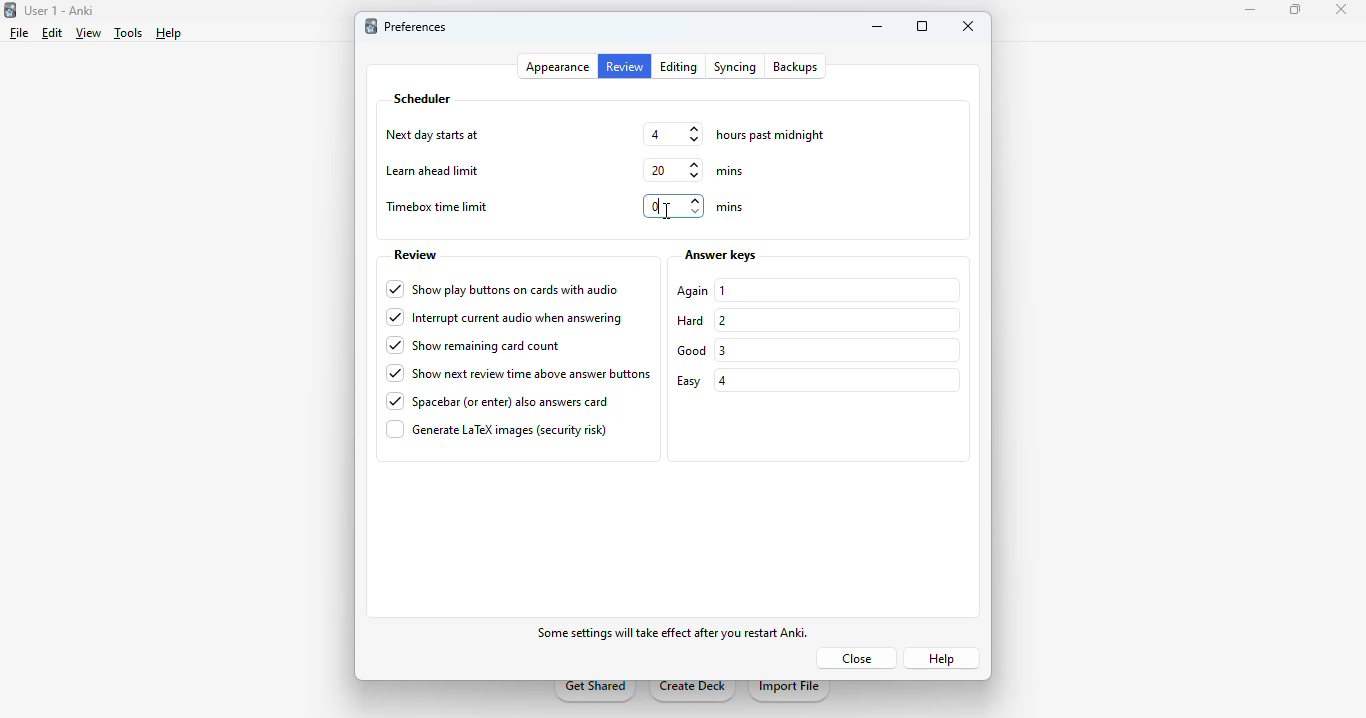  Describe the element at coordinates (675, 170) in the screenshot. I see `20` at that location.